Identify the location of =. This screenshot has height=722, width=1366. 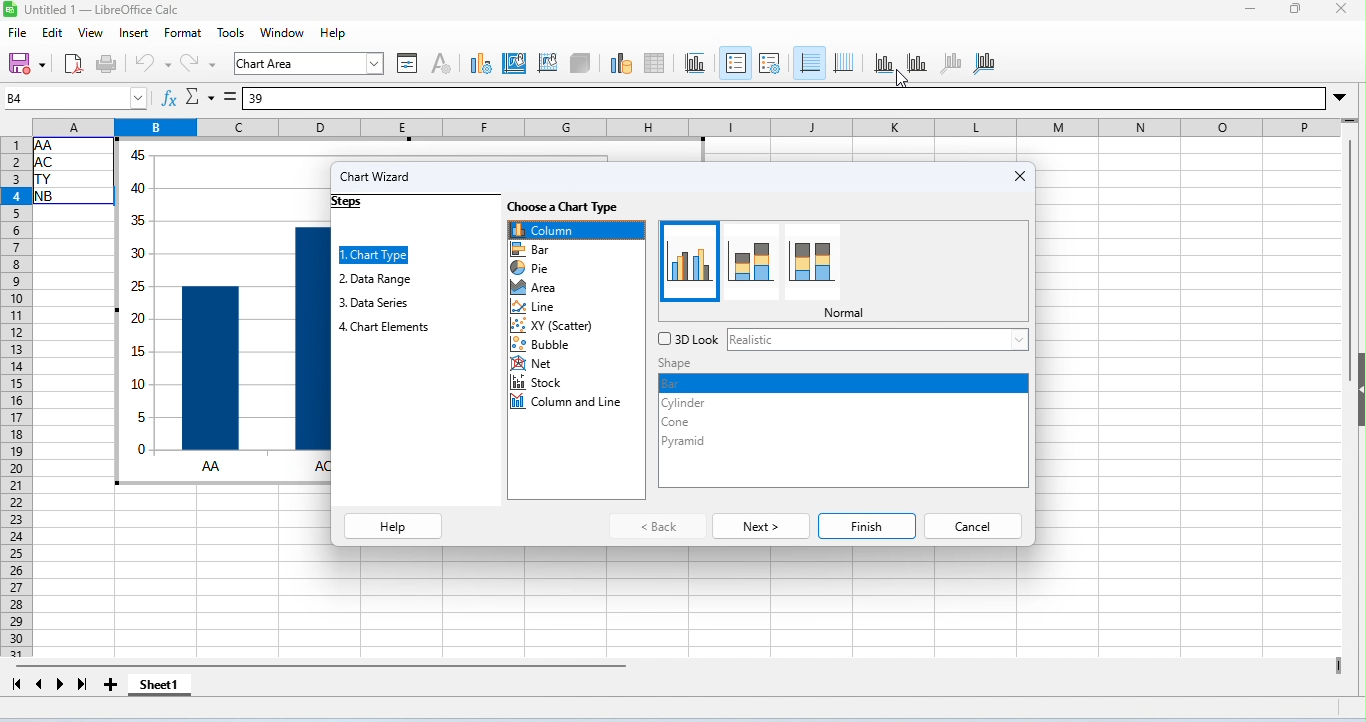
(231, 96).